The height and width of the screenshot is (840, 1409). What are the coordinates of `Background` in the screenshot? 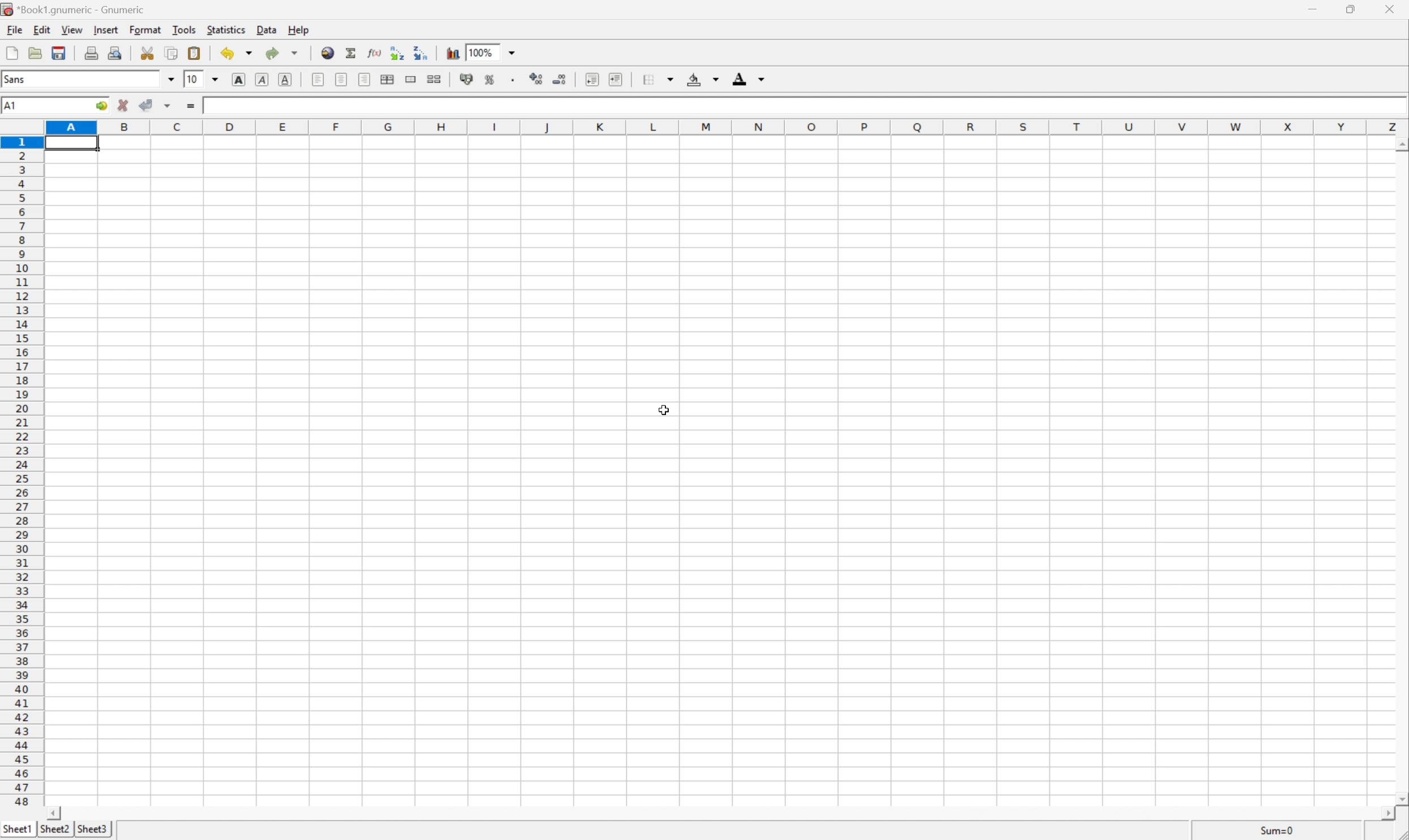 It's located at (703, 79).